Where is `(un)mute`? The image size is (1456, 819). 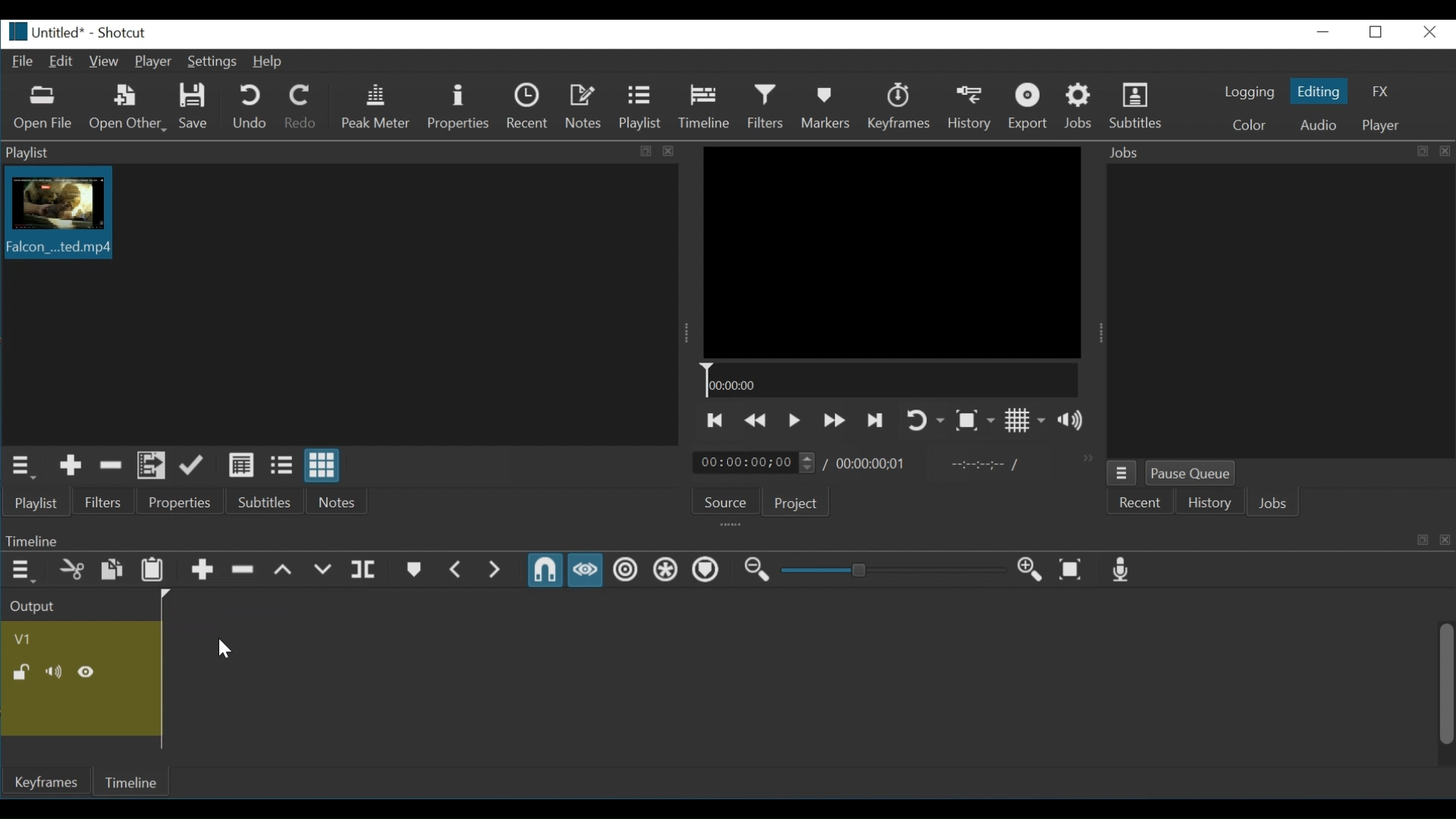 (un)mute is located at coordinates (54, 673).